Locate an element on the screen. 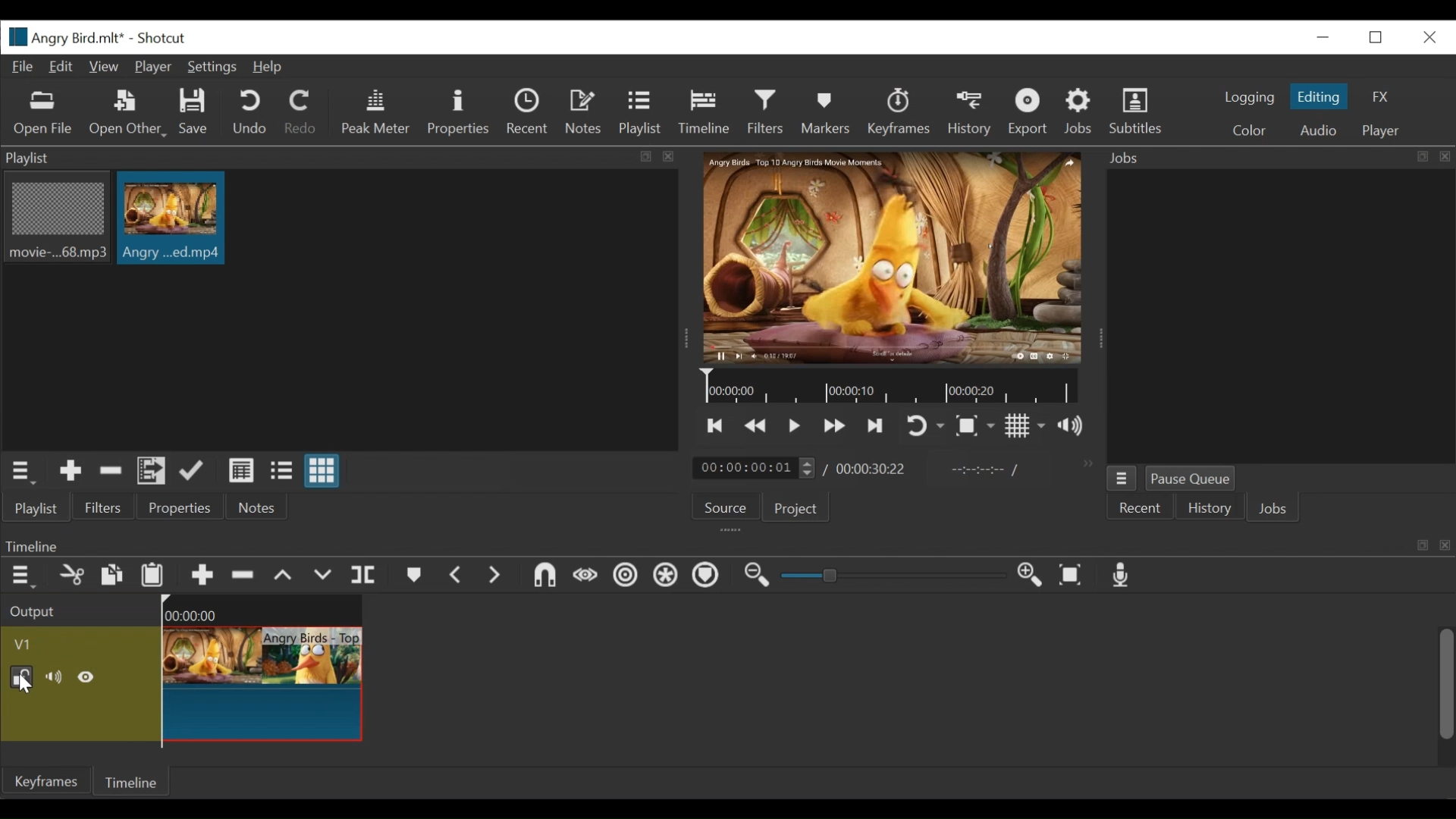 This screenshot has height=819, width=1456. File name is located at coordinates (64, 36).